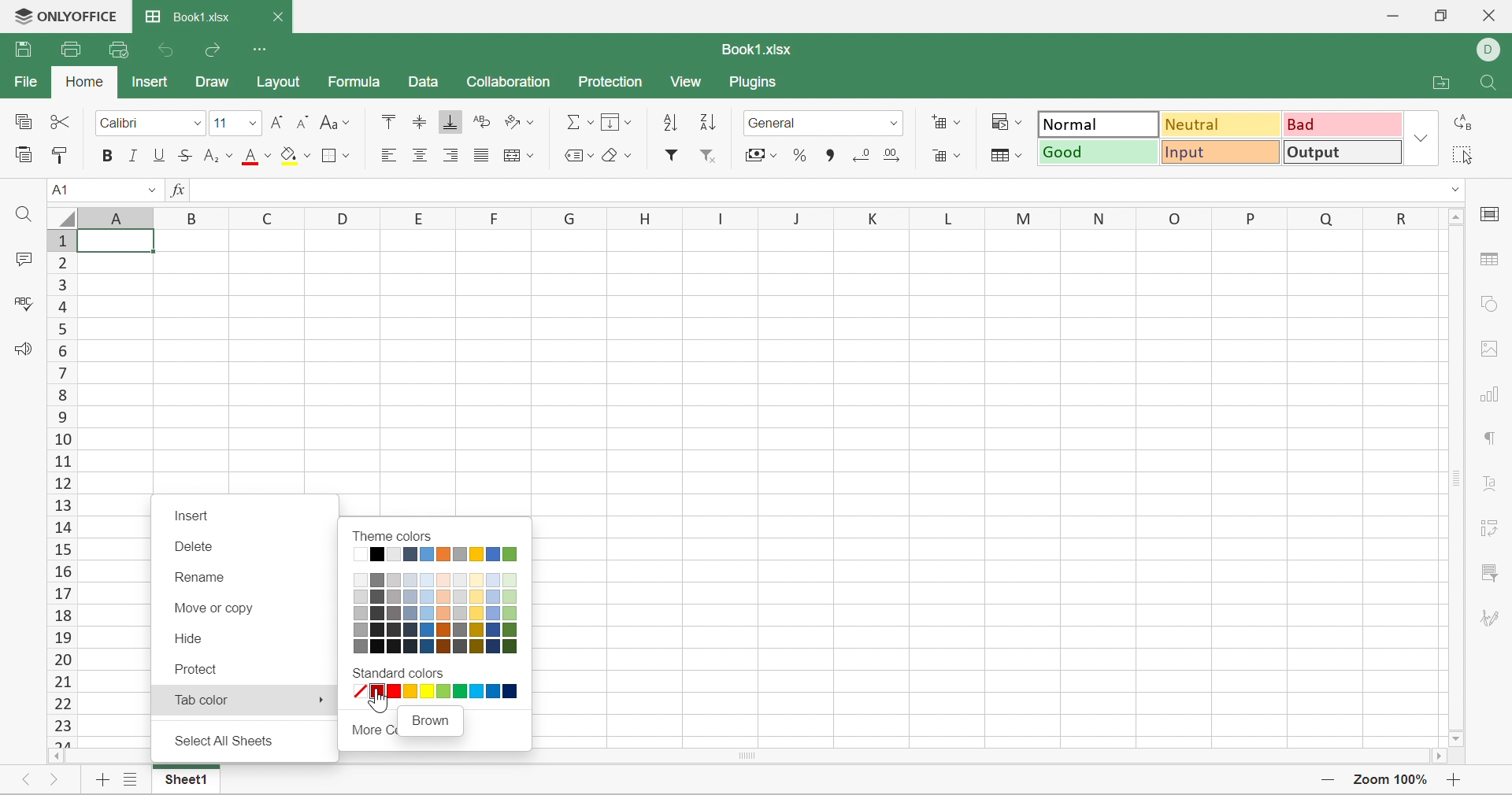  I want to click on Sort descending, so click(706, 121).